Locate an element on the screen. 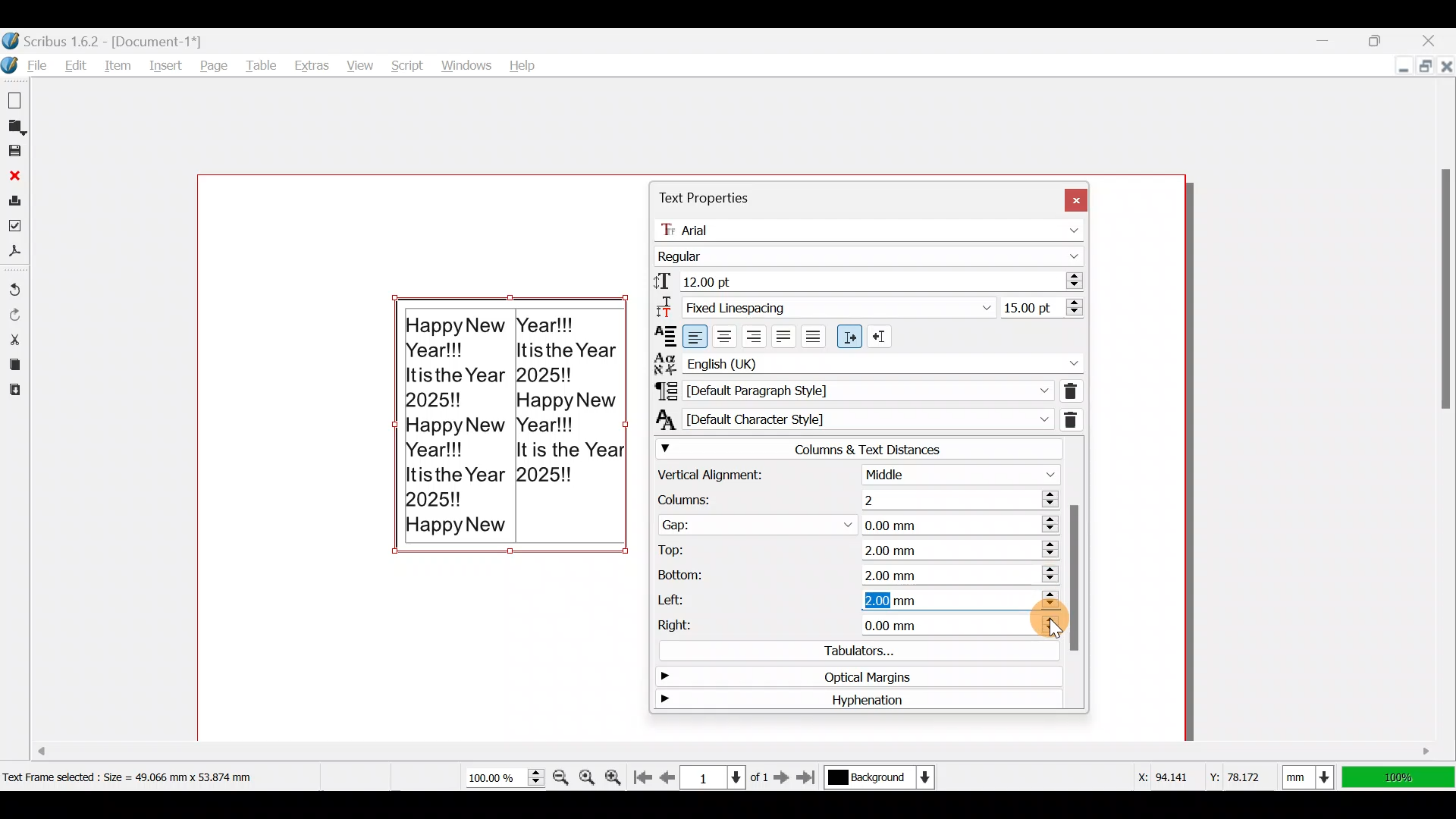  Left is located at coordinates (855, 598).